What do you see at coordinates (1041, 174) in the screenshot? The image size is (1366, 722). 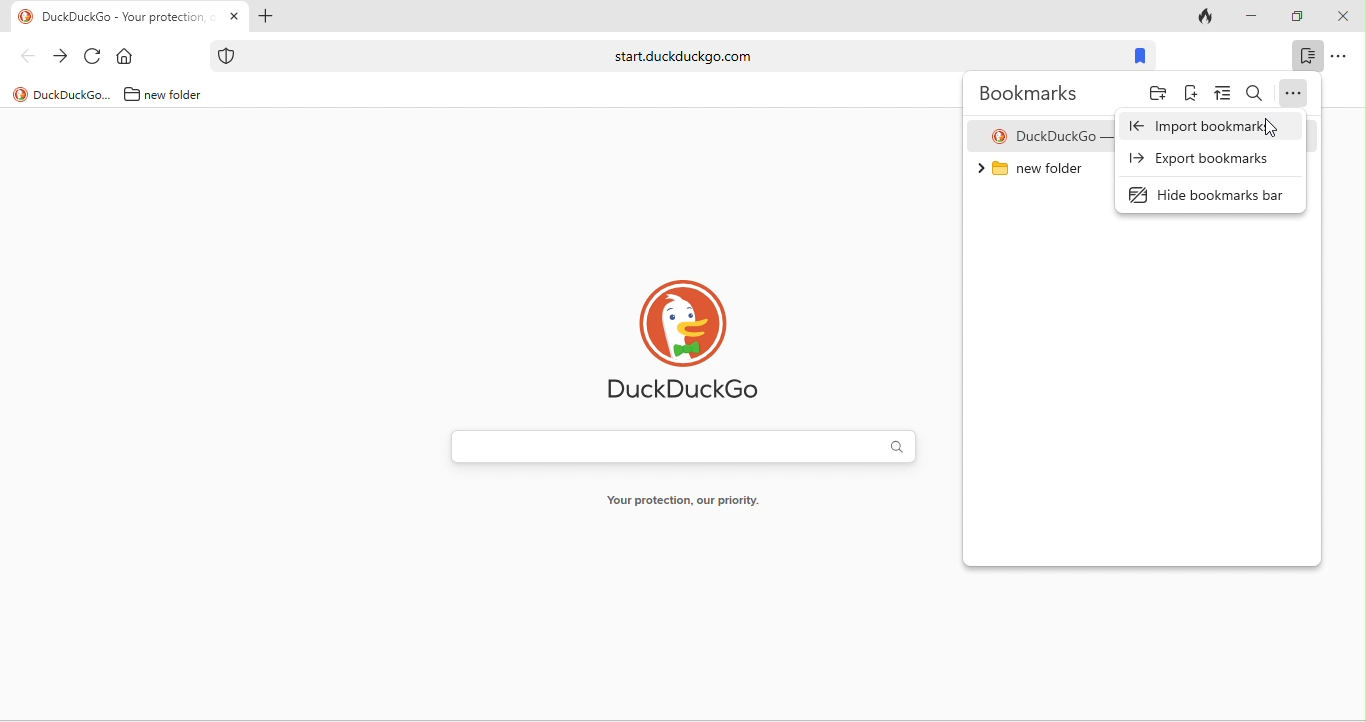 I see `new folder` at bounding box center [1041, 174].